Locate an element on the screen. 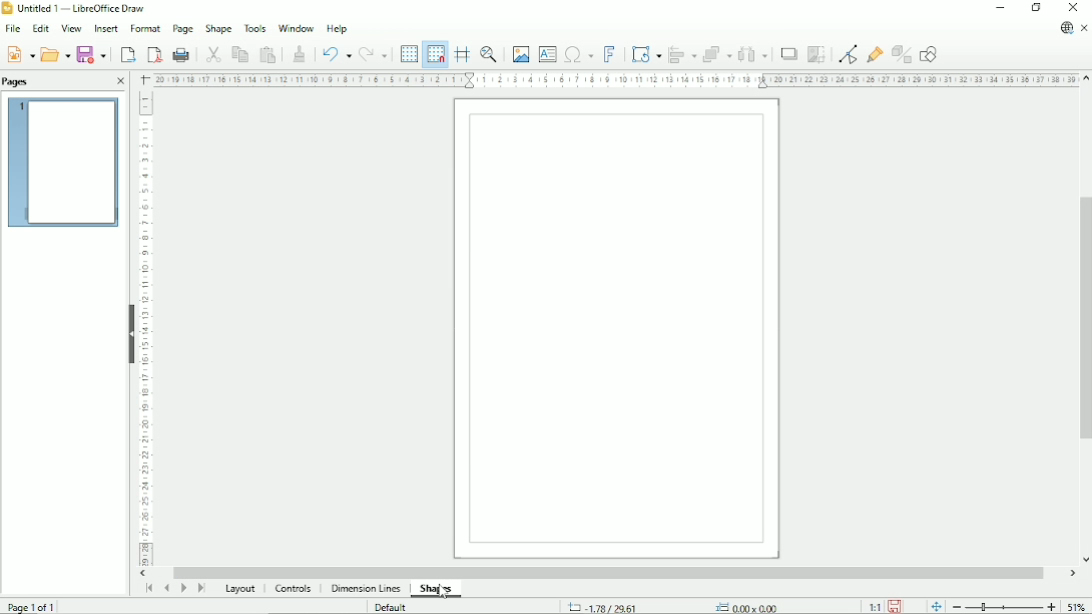 This screenshot has width=1092, height=614. Snap to grid is located at coordinates (435, 54).